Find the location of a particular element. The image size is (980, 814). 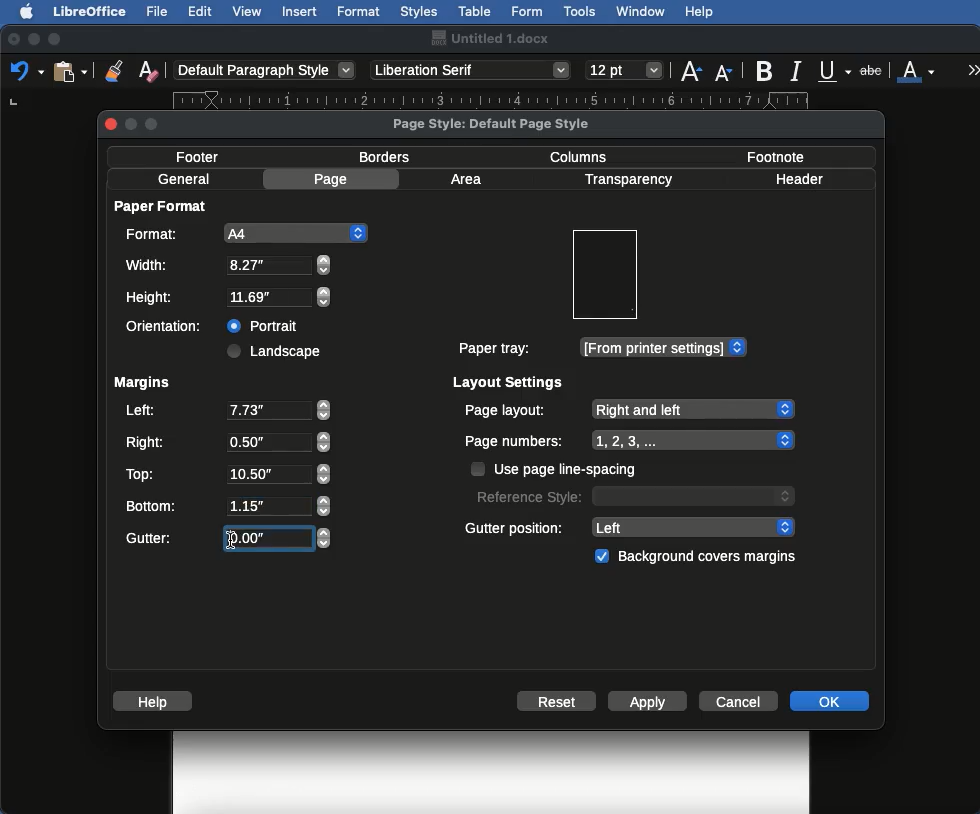

Portrait is located at coordinates (265, 323).